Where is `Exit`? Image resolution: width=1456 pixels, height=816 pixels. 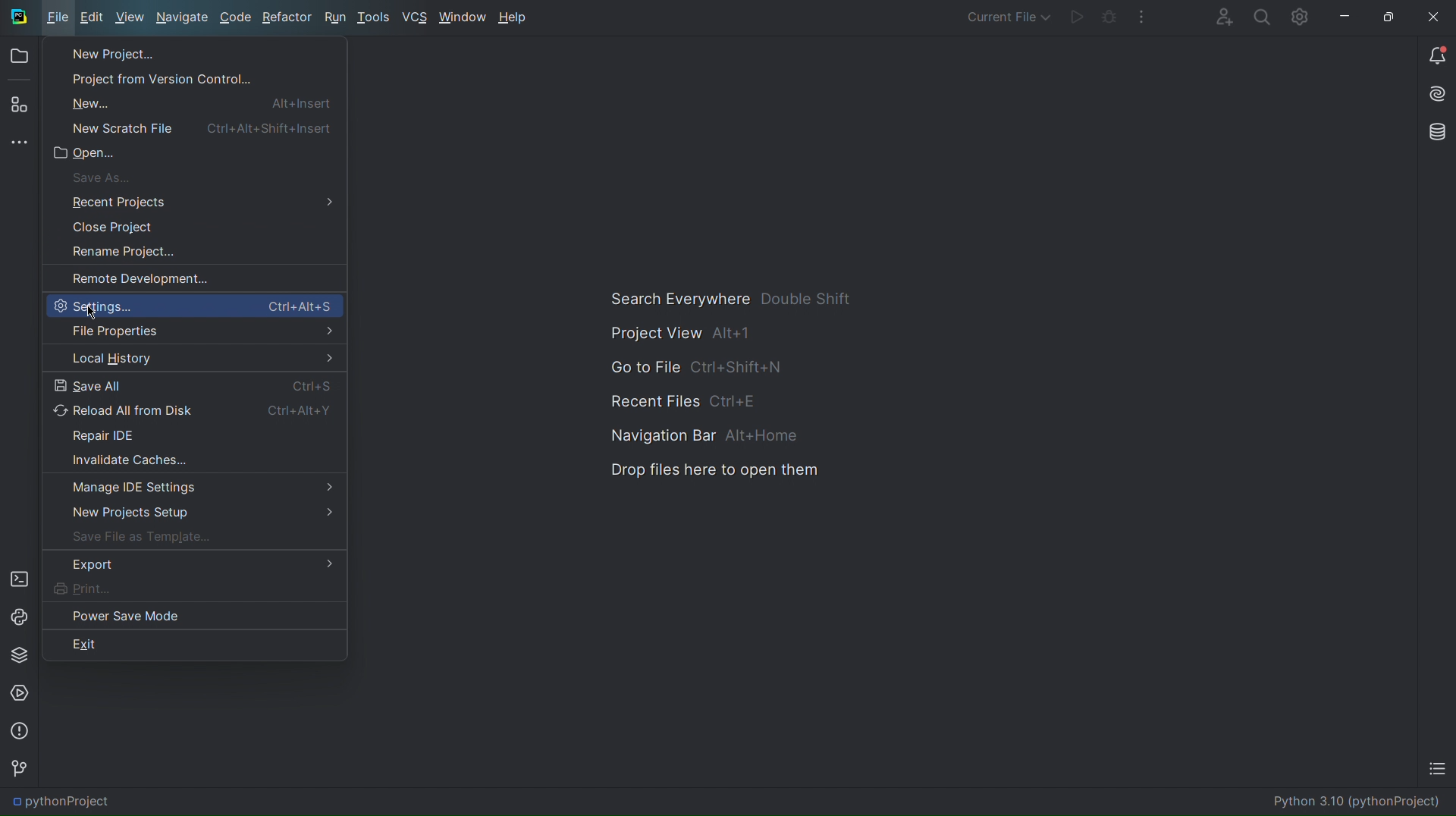 Exit is located at coordinates (86, 646).